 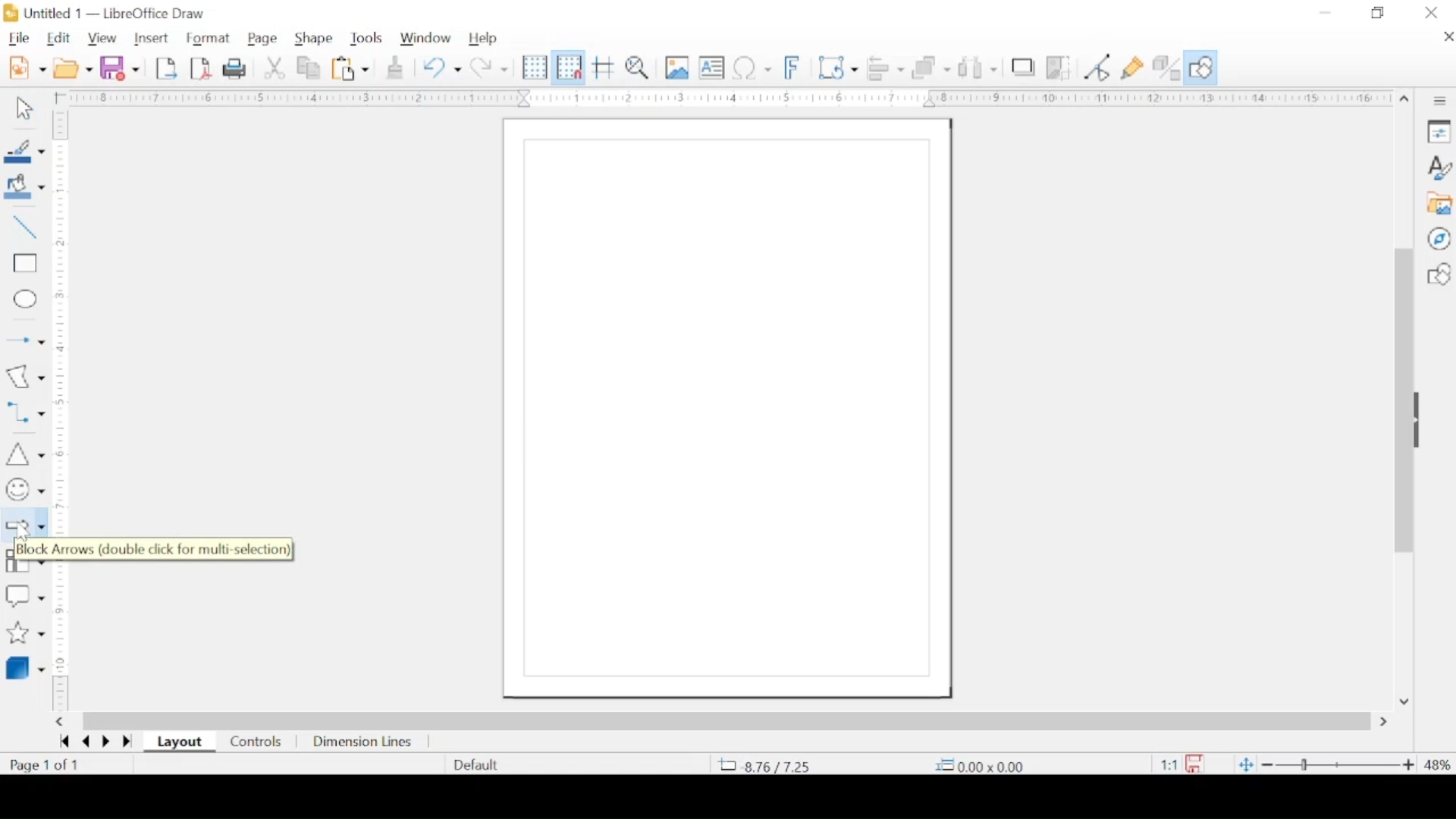 I want to click on insert triangle, so click(x=24, y=453).